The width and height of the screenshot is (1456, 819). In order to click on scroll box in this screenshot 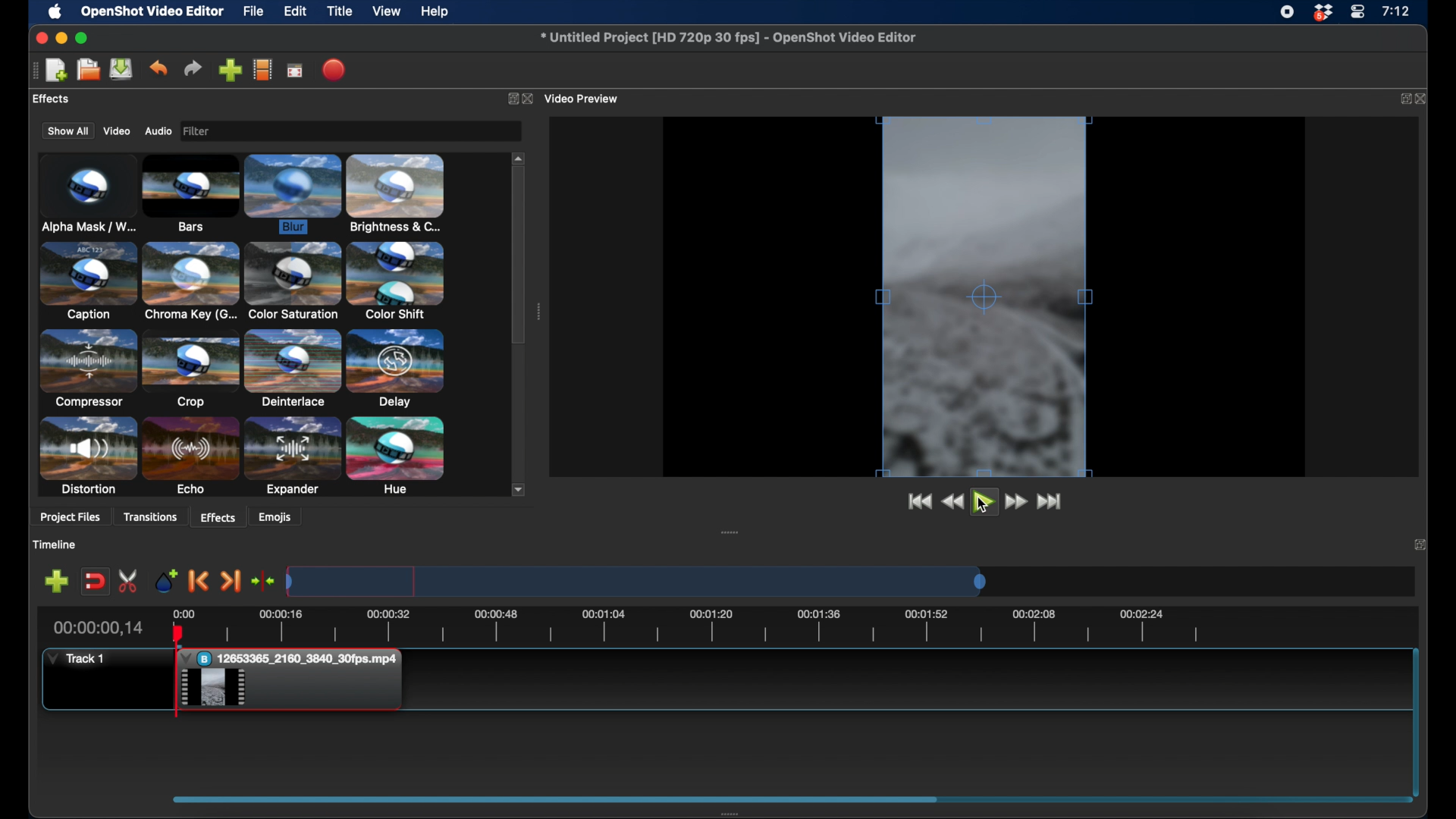, I will do `click(519, 258)`.